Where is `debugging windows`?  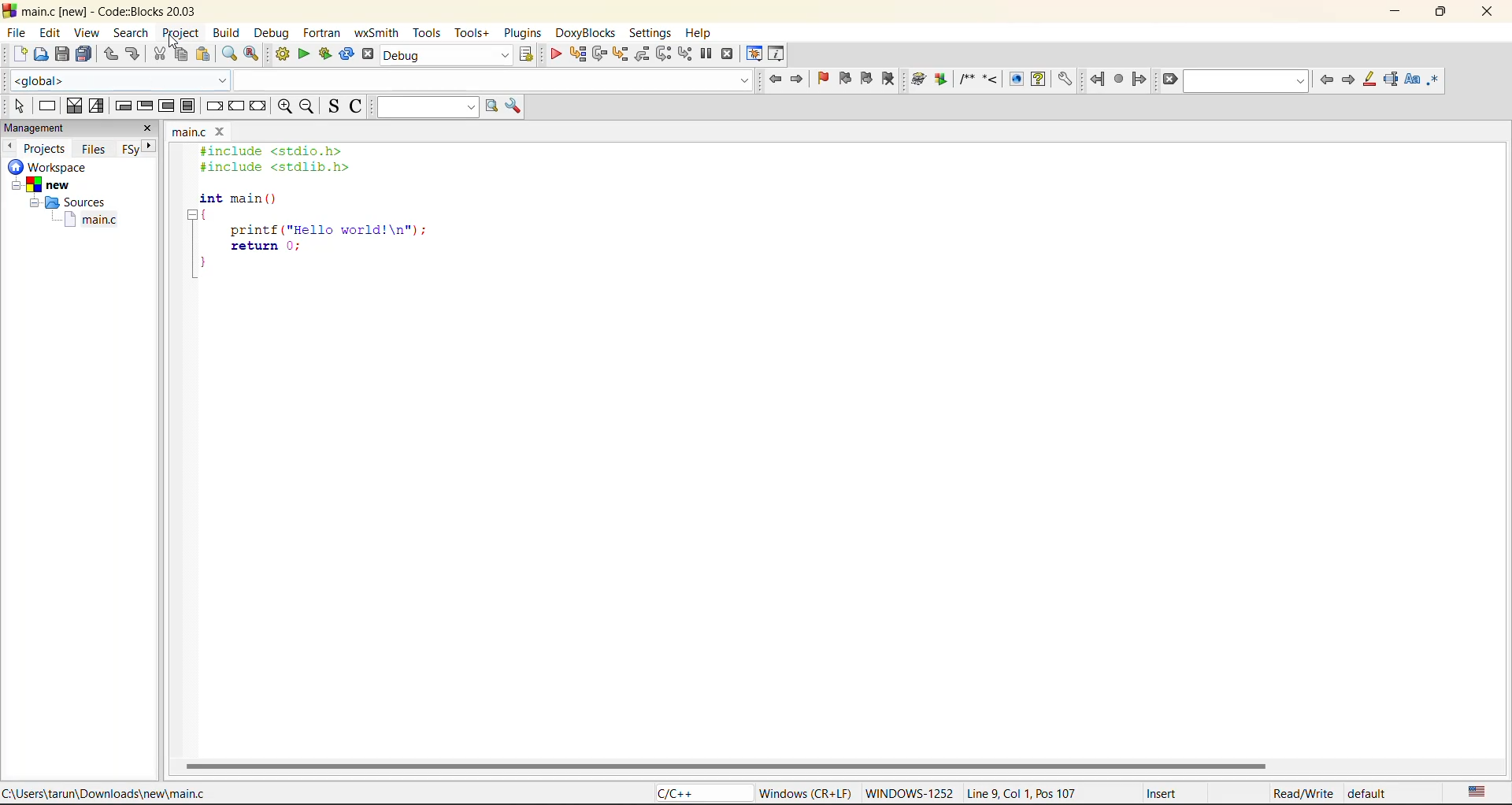
debugging windows is located at coordinates (754, 54).